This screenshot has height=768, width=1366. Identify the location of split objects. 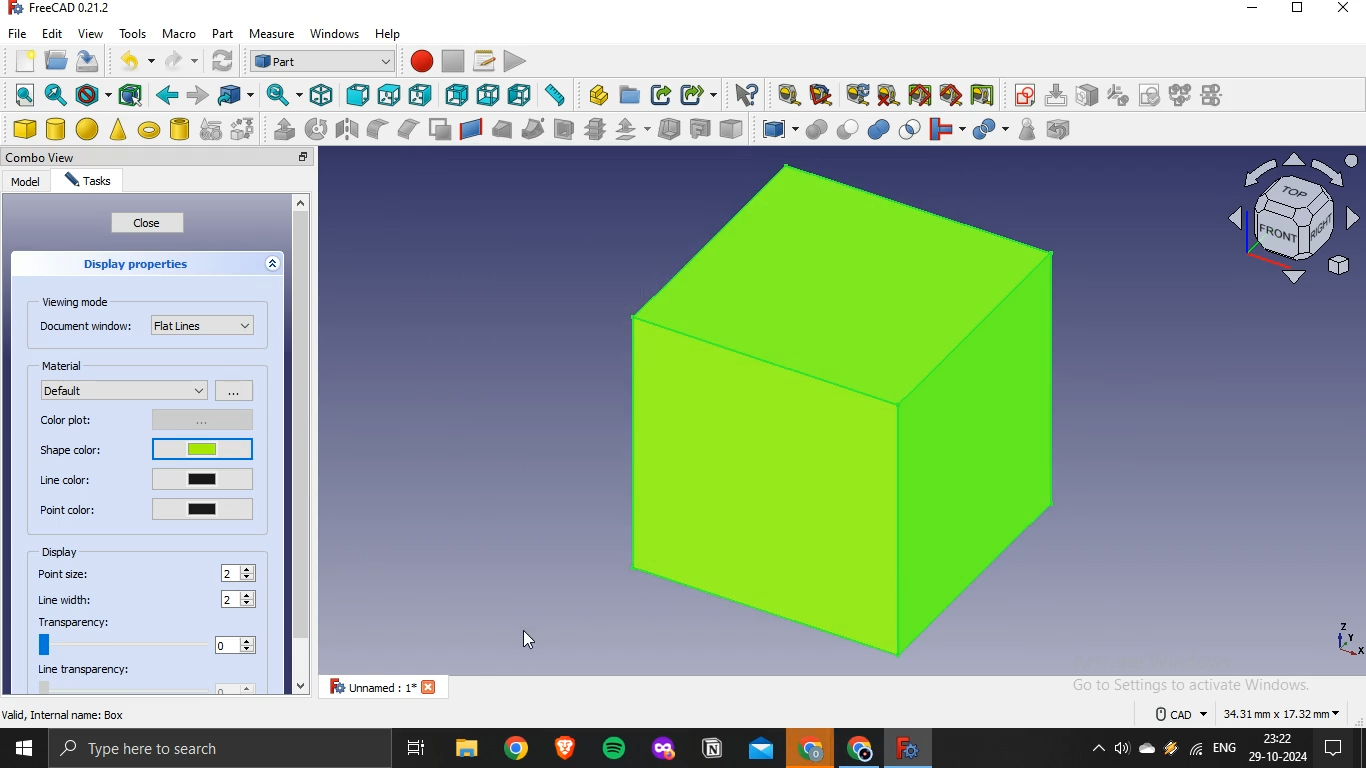
(987, 130).